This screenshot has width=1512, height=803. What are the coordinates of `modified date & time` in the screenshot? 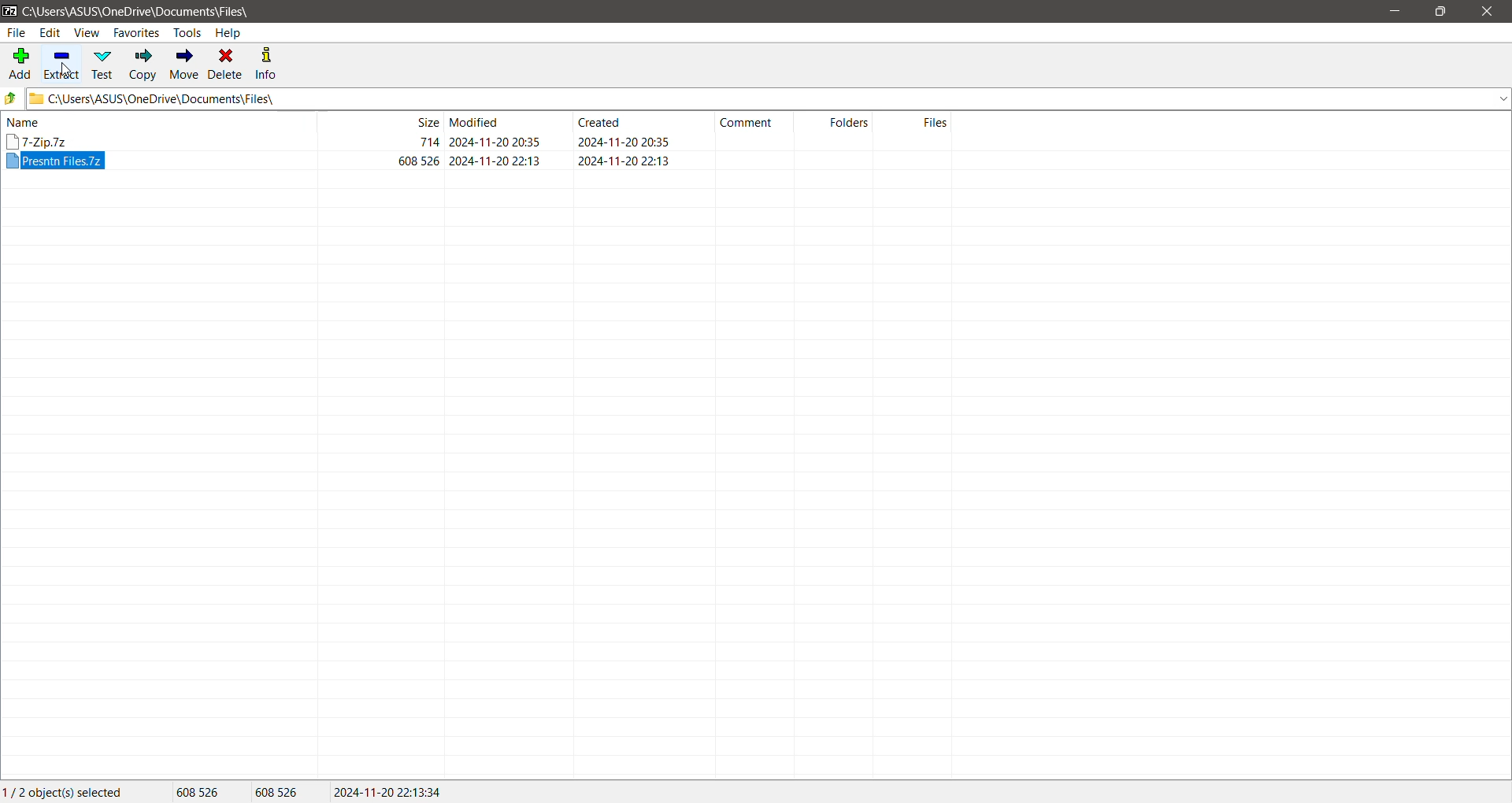 It's located at (495, 161).